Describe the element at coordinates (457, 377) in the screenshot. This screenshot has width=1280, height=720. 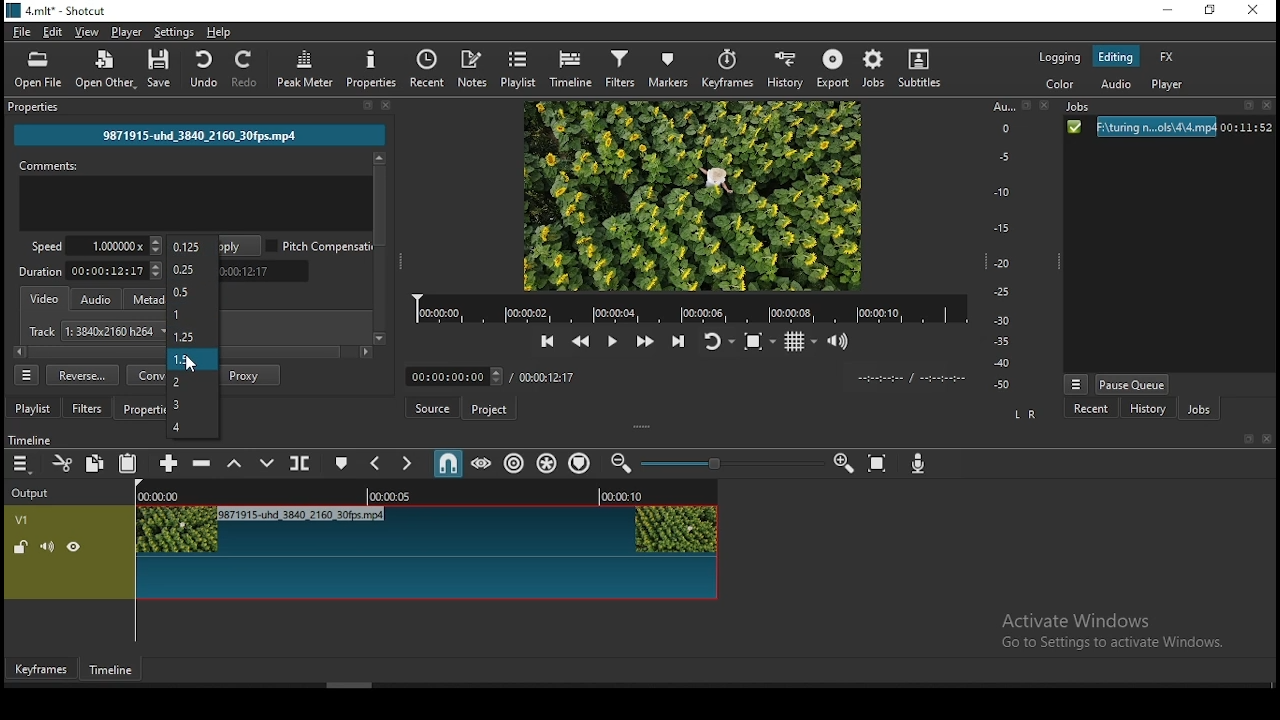
I see `Timer` at that location.